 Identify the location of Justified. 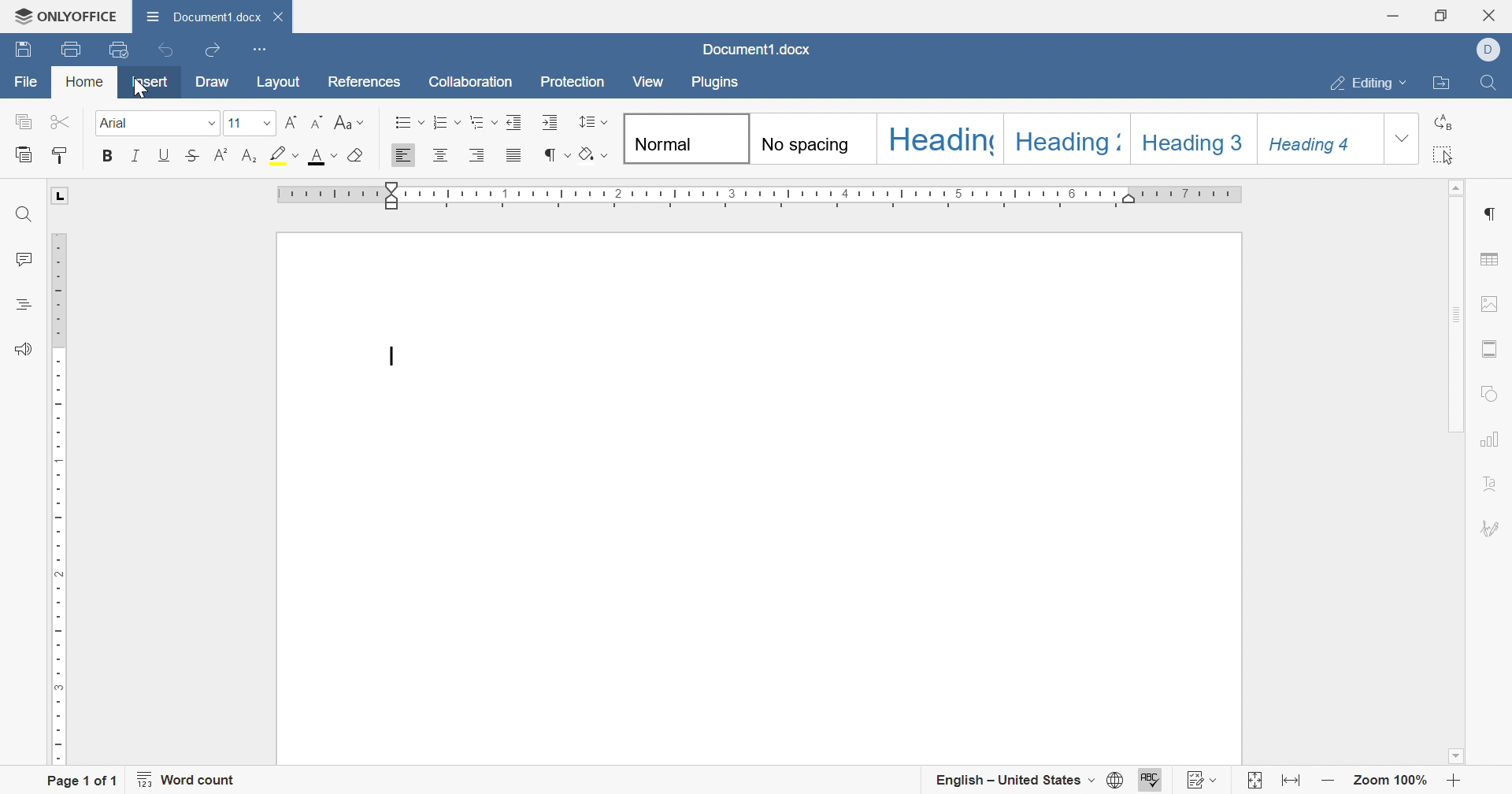
(514, 155).